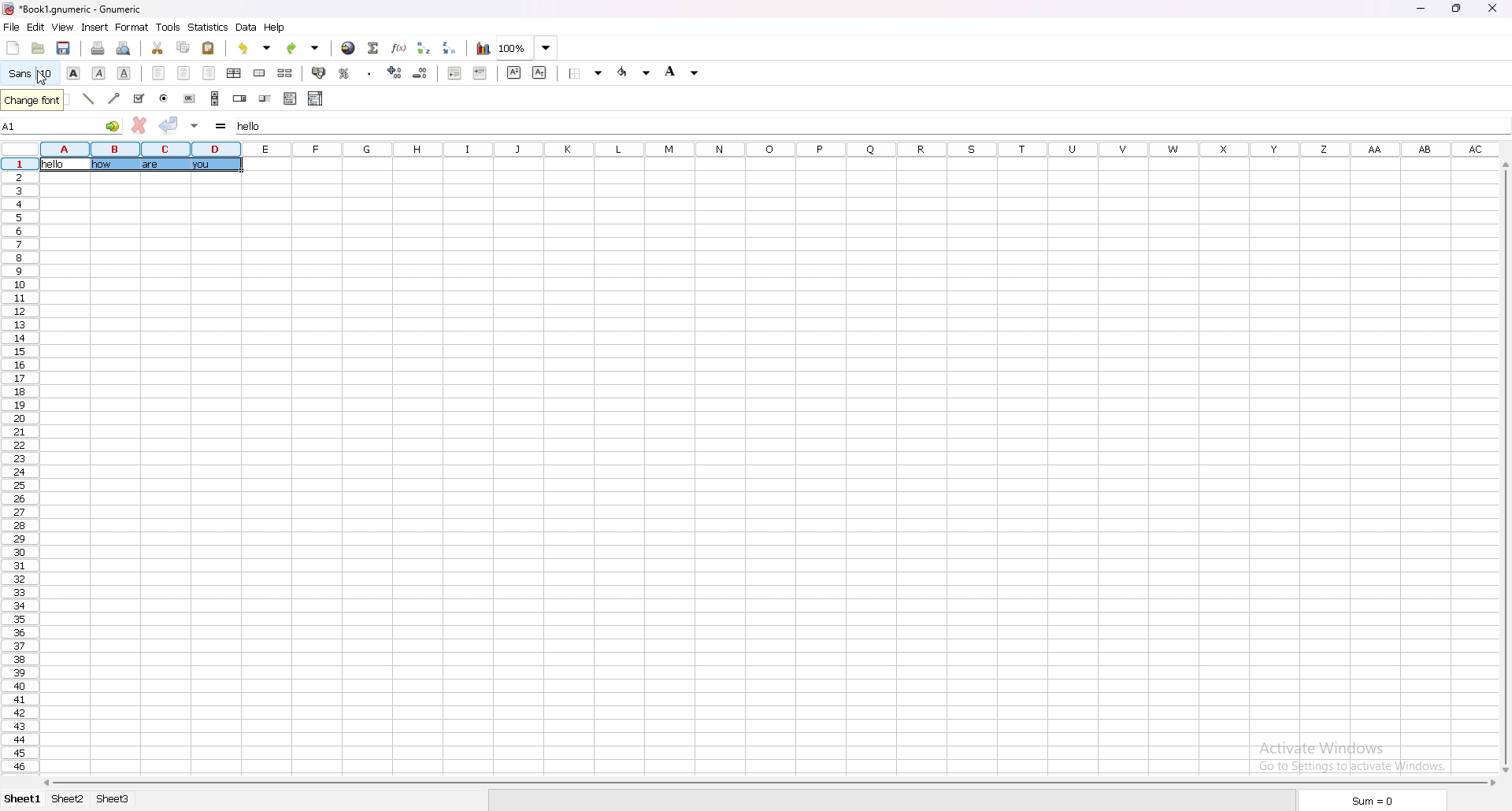  What do you see at coordinates (215, 98) in the screenshot?
I see `scroll bar` at bounding box center [215, 98].